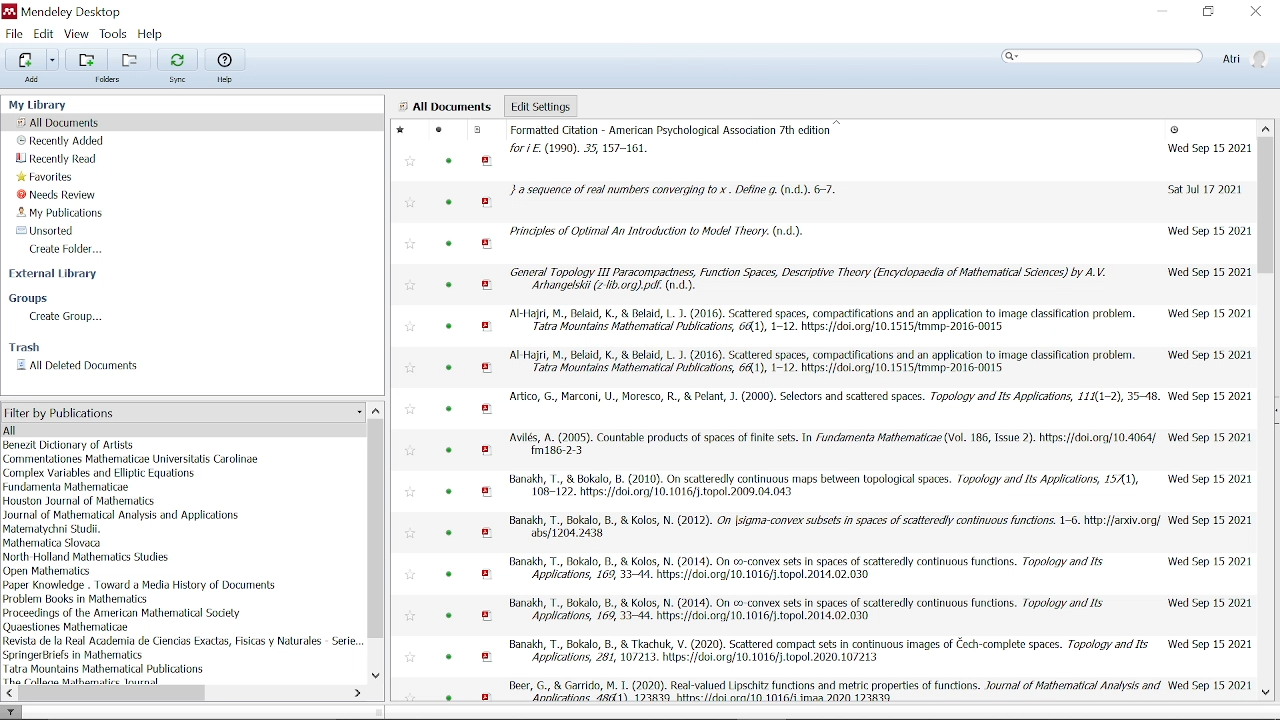  I want to click on Created folder, so click(72, 249).